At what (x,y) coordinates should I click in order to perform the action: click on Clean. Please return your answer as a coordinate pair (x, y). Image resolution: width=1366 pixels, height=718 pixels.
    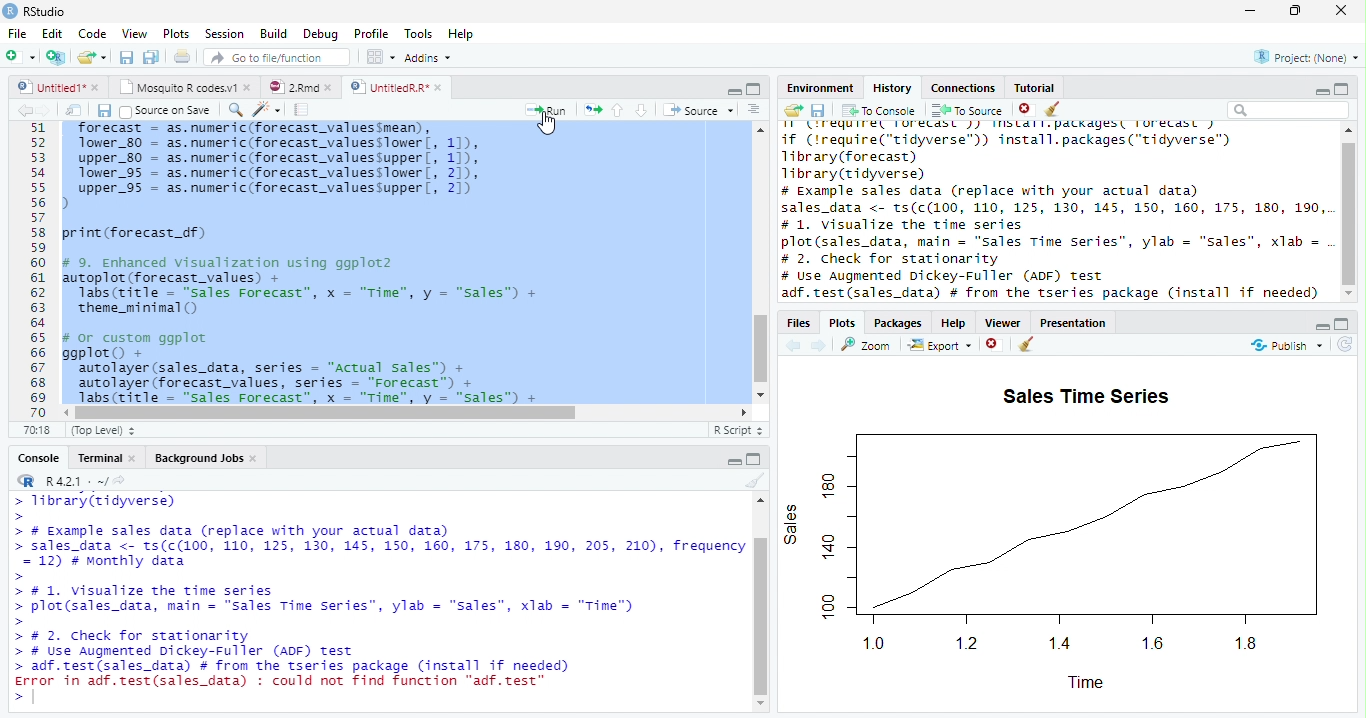
    Looking at the image, I should click on (753, 481).